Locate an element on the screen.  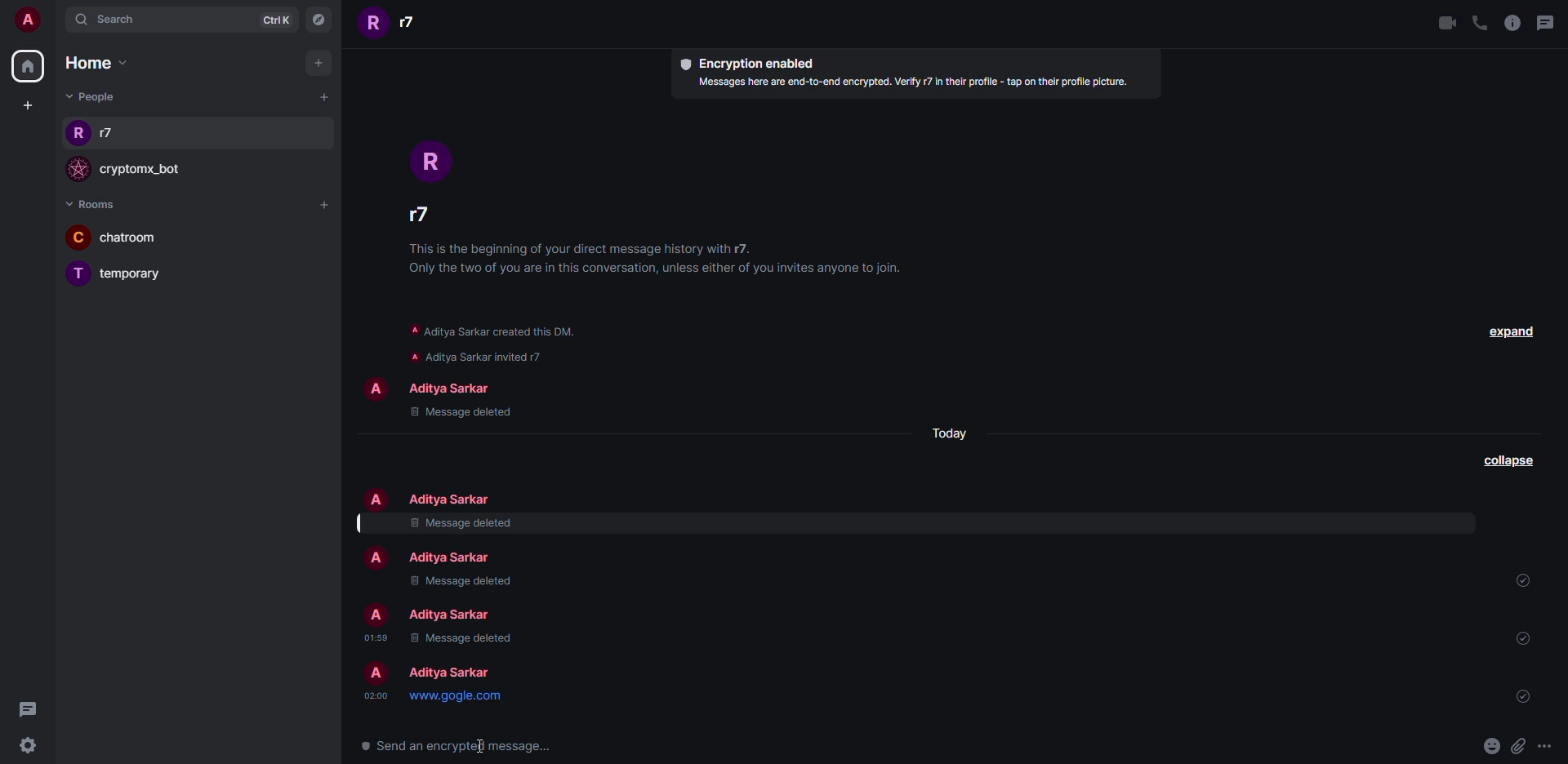
profile is located at coordinates (380, 558).